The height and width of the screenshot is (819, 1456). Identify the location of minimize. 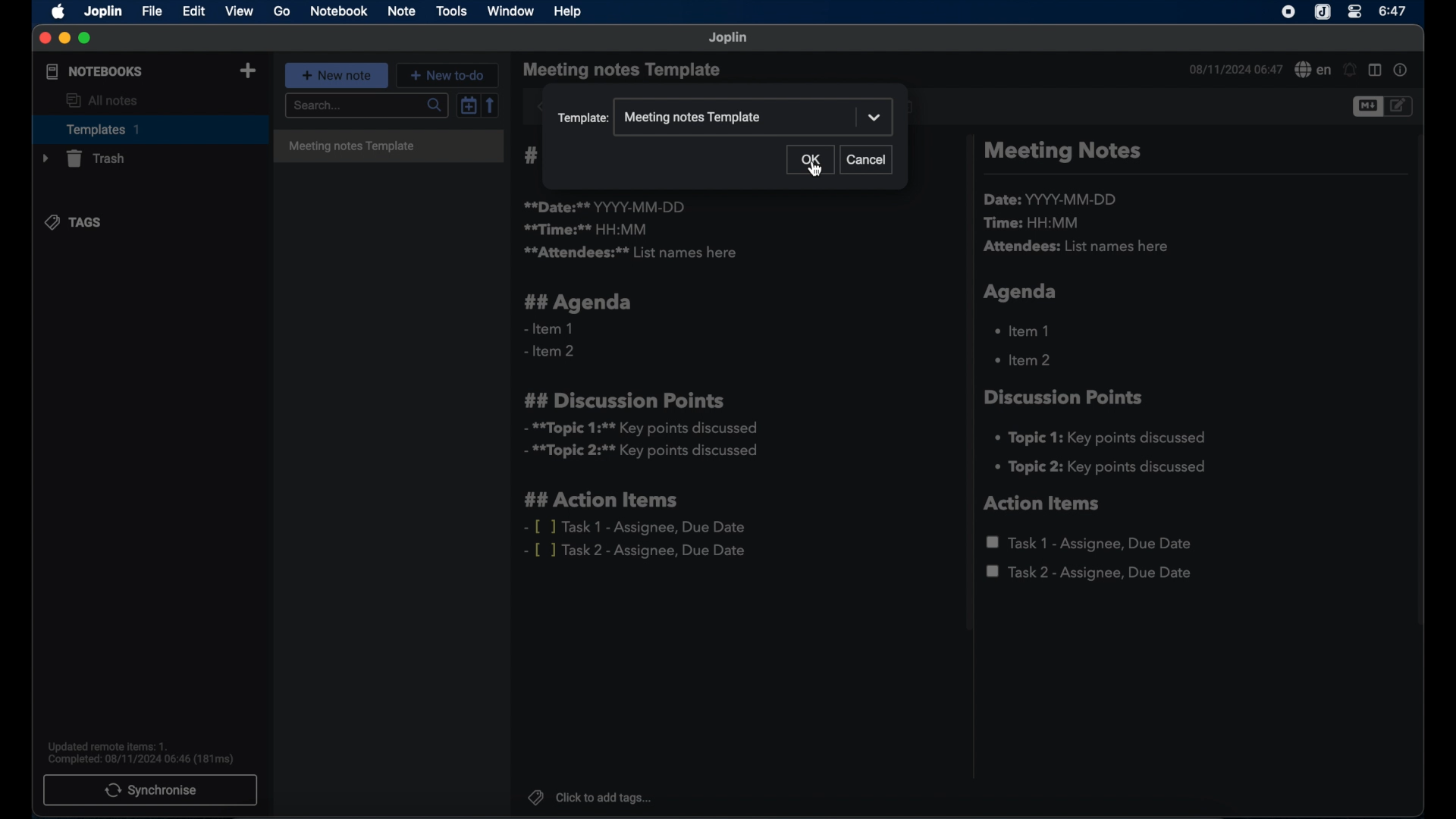
(64, 38).